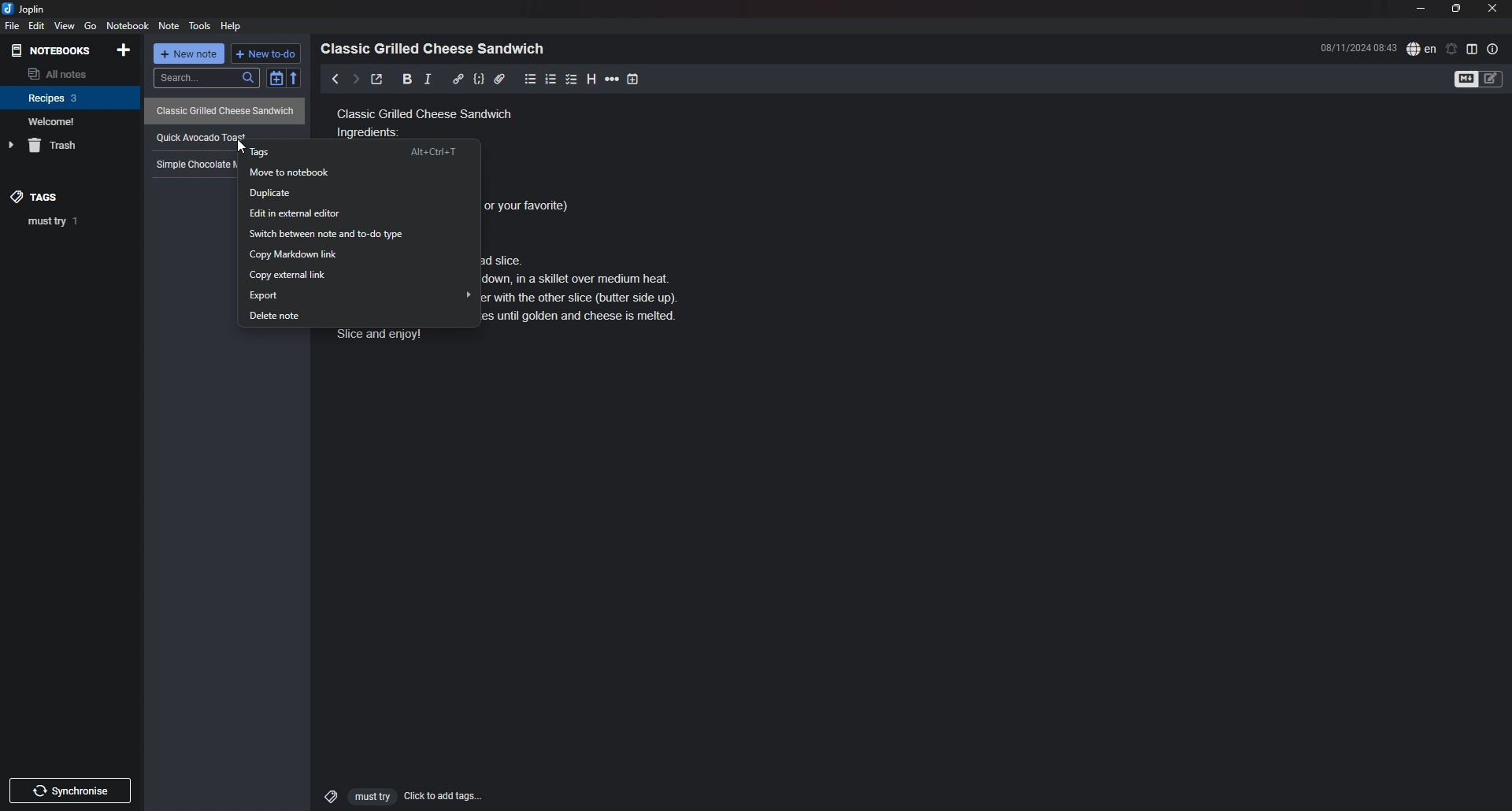  I want to click on horizontal rule, so click(613, 79).